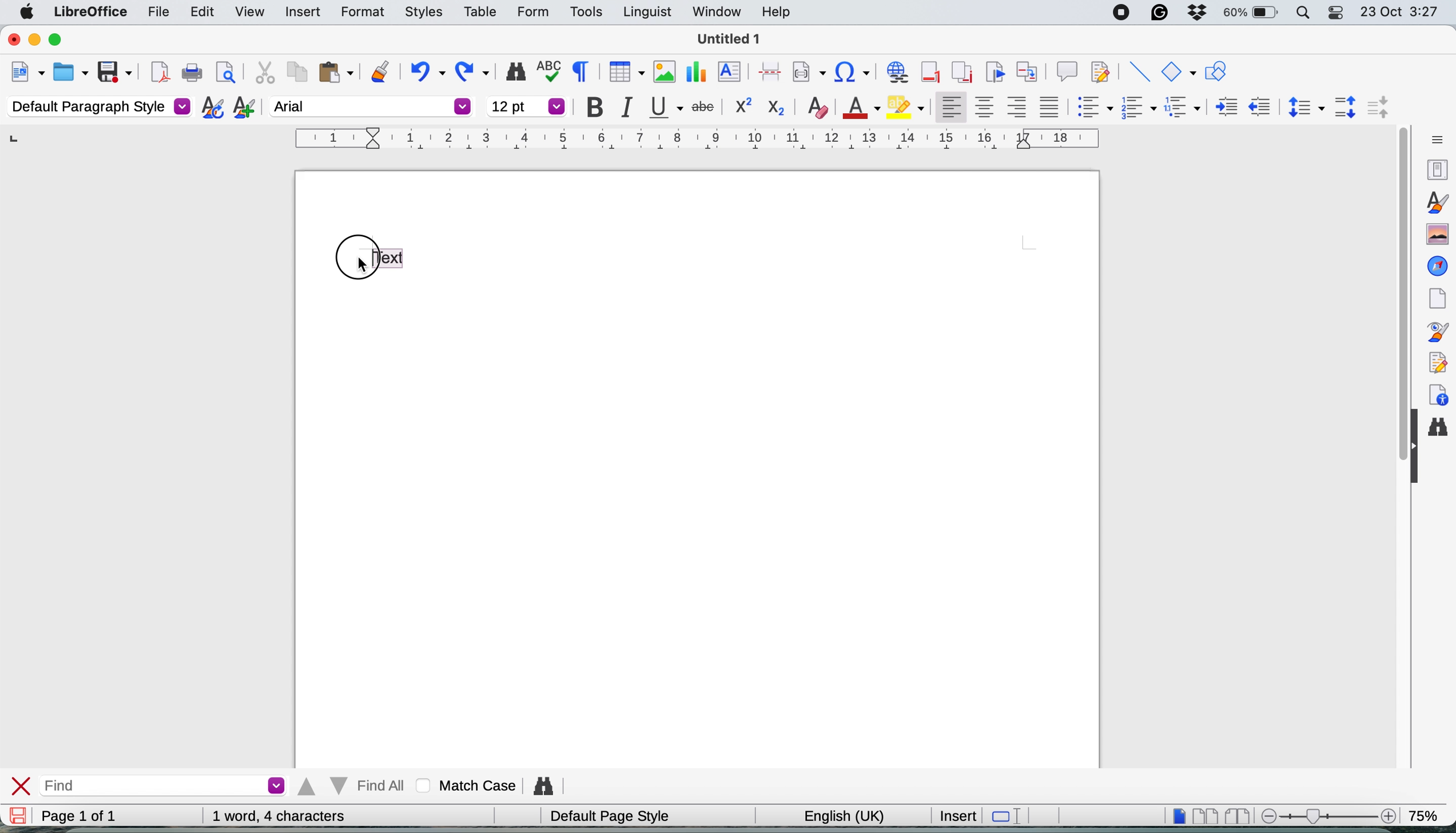 The width and height of the screenshot is (1456, 833). What do you see at coordinates (202, 12) in the screenshot?
I see `edit` at bounding box center [202, 12].